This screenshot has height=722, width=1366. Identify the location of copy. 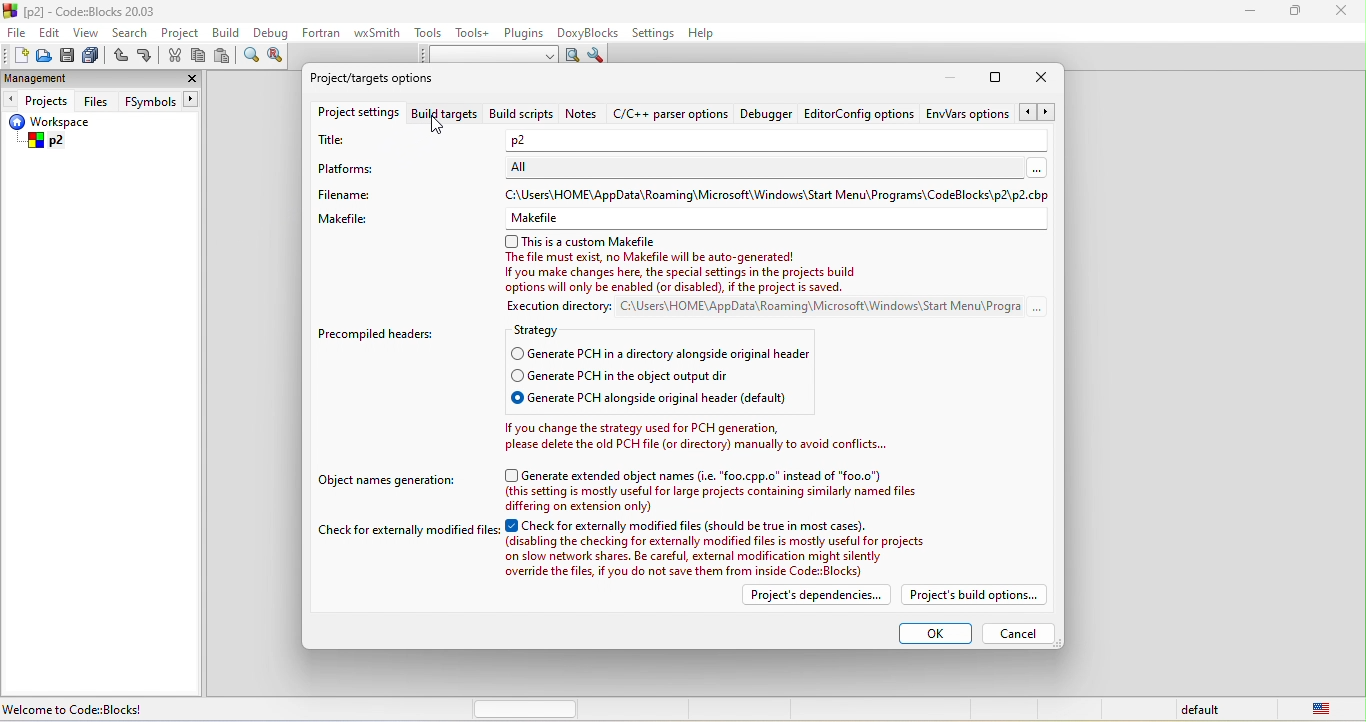
(199, 56).